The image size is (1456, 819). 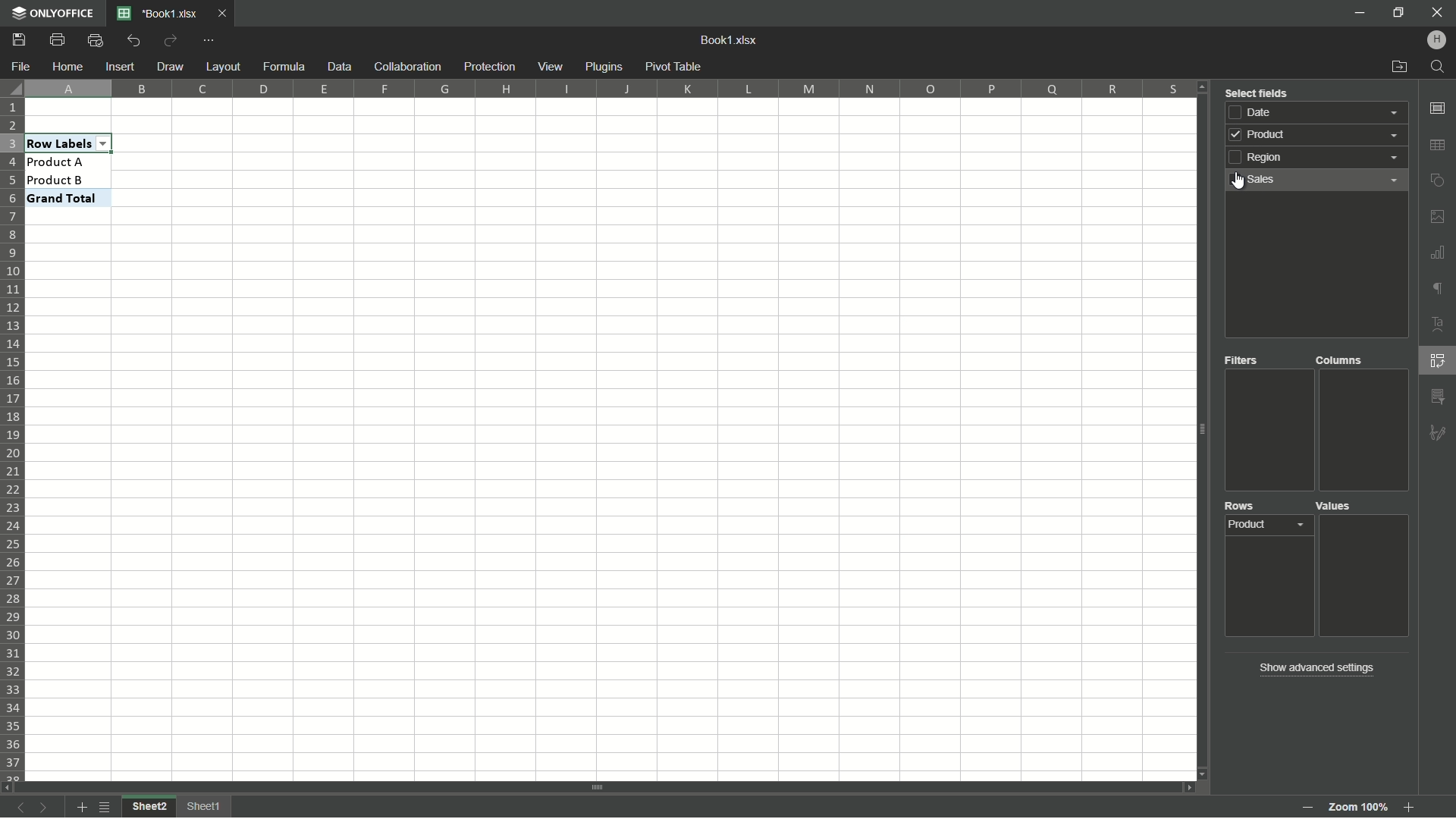 I want to click on Sheet 2, so click(x=149, y=807).